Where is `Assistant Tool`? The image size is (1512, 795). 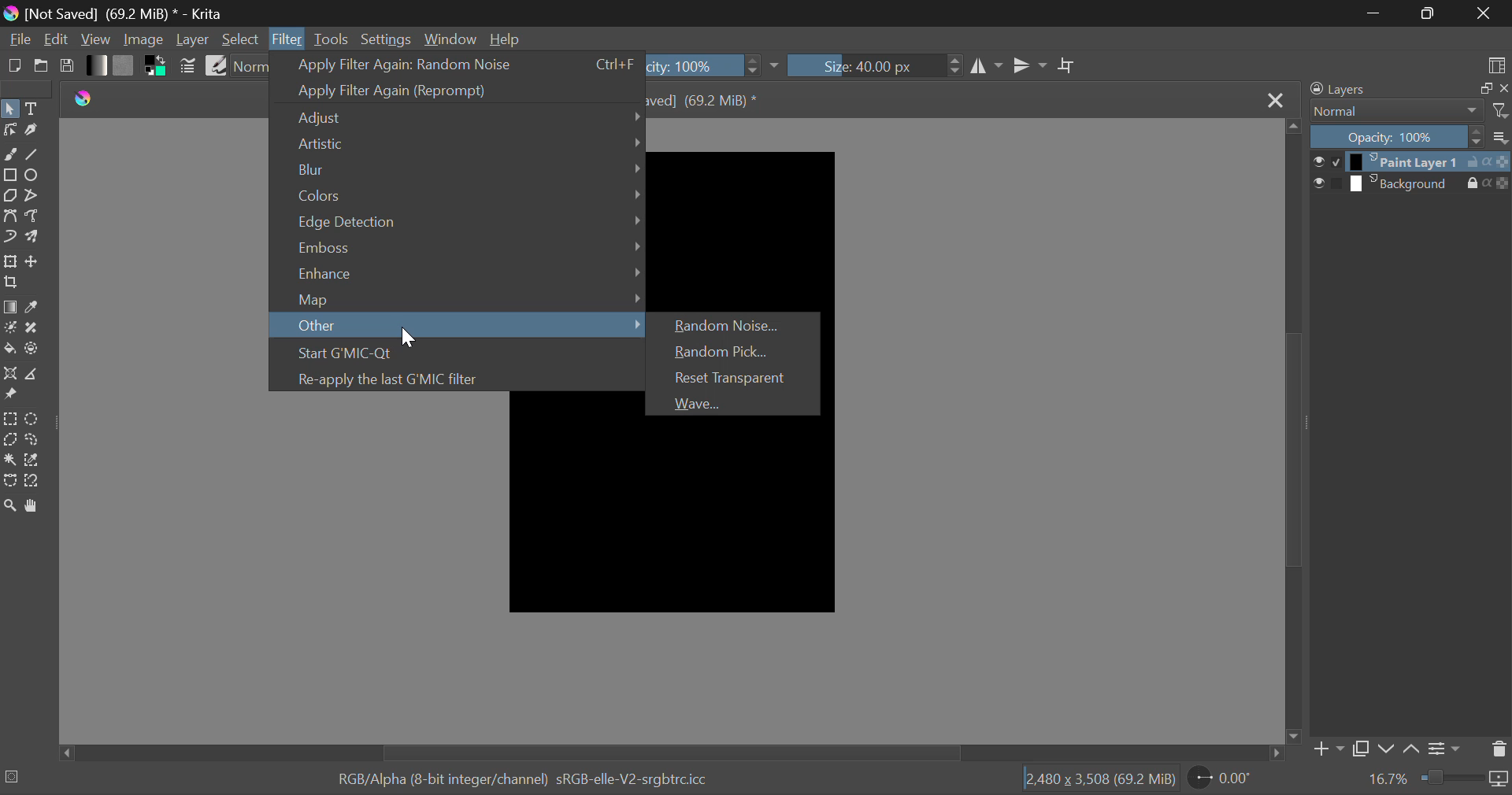
Assistant Tool is located at coordinates (9, 373).